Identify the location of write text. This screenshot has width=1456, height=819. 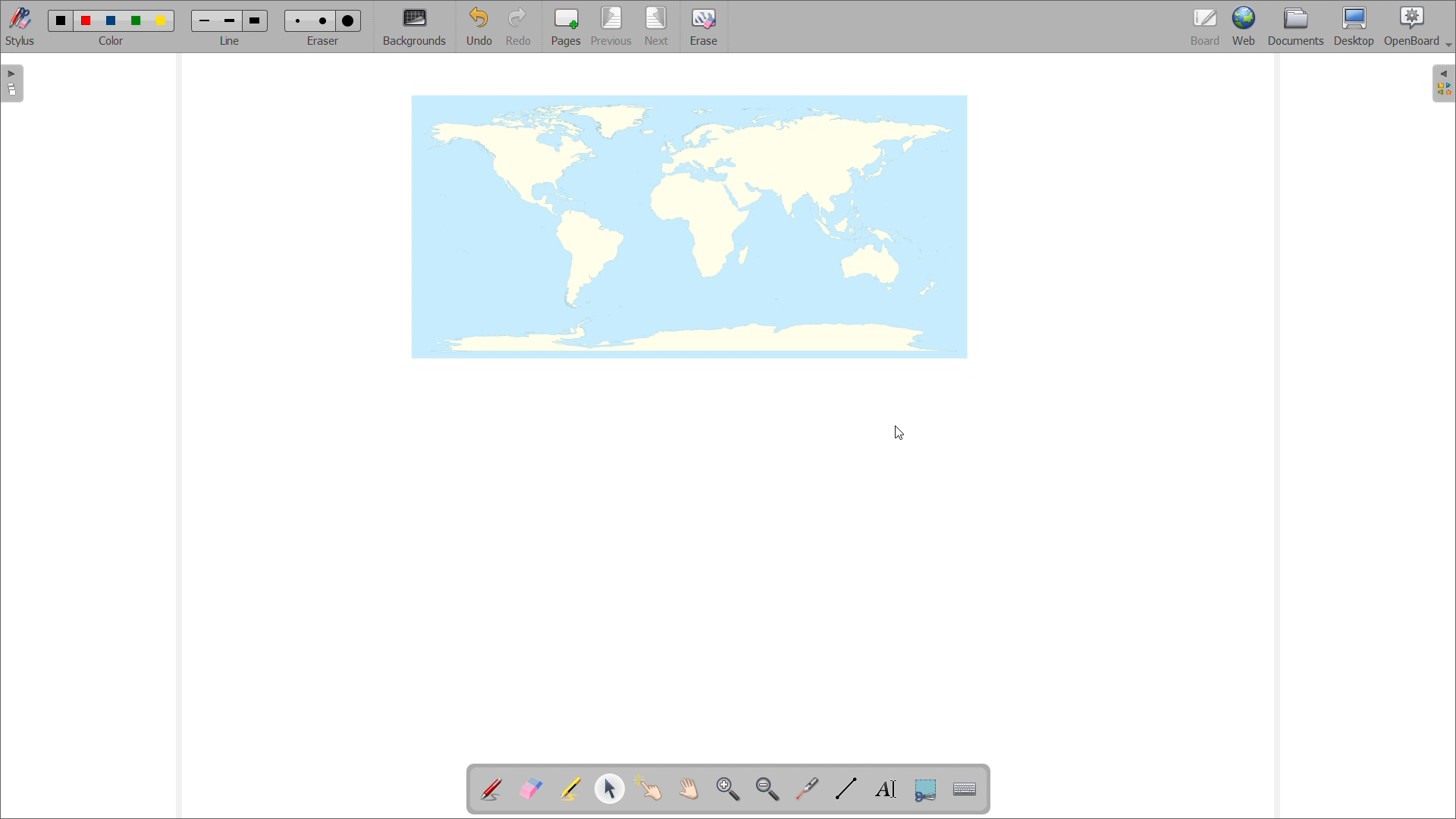
(886, 789).